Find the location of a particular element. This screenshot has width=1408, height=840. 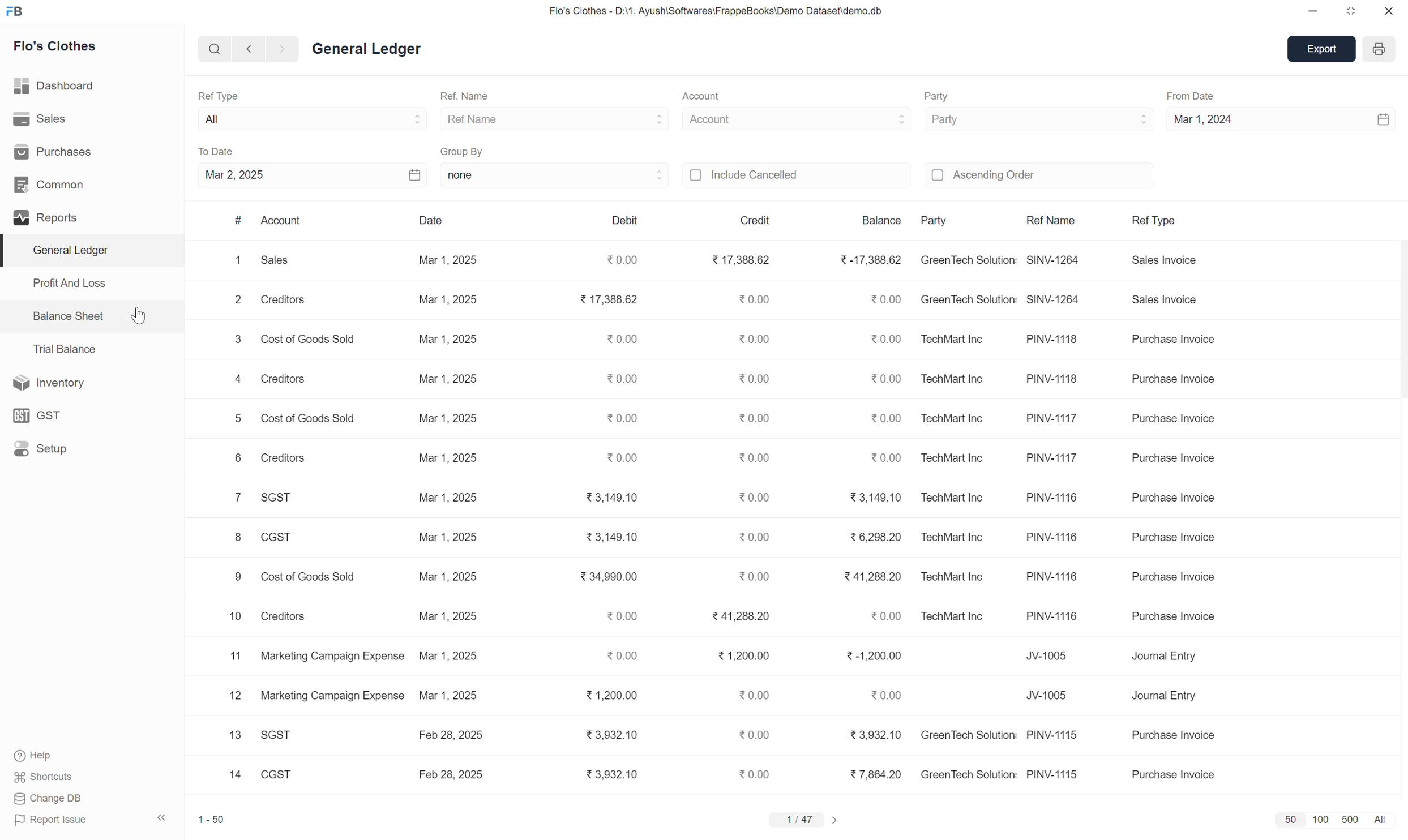

Account is located at coordinates (285, 220).